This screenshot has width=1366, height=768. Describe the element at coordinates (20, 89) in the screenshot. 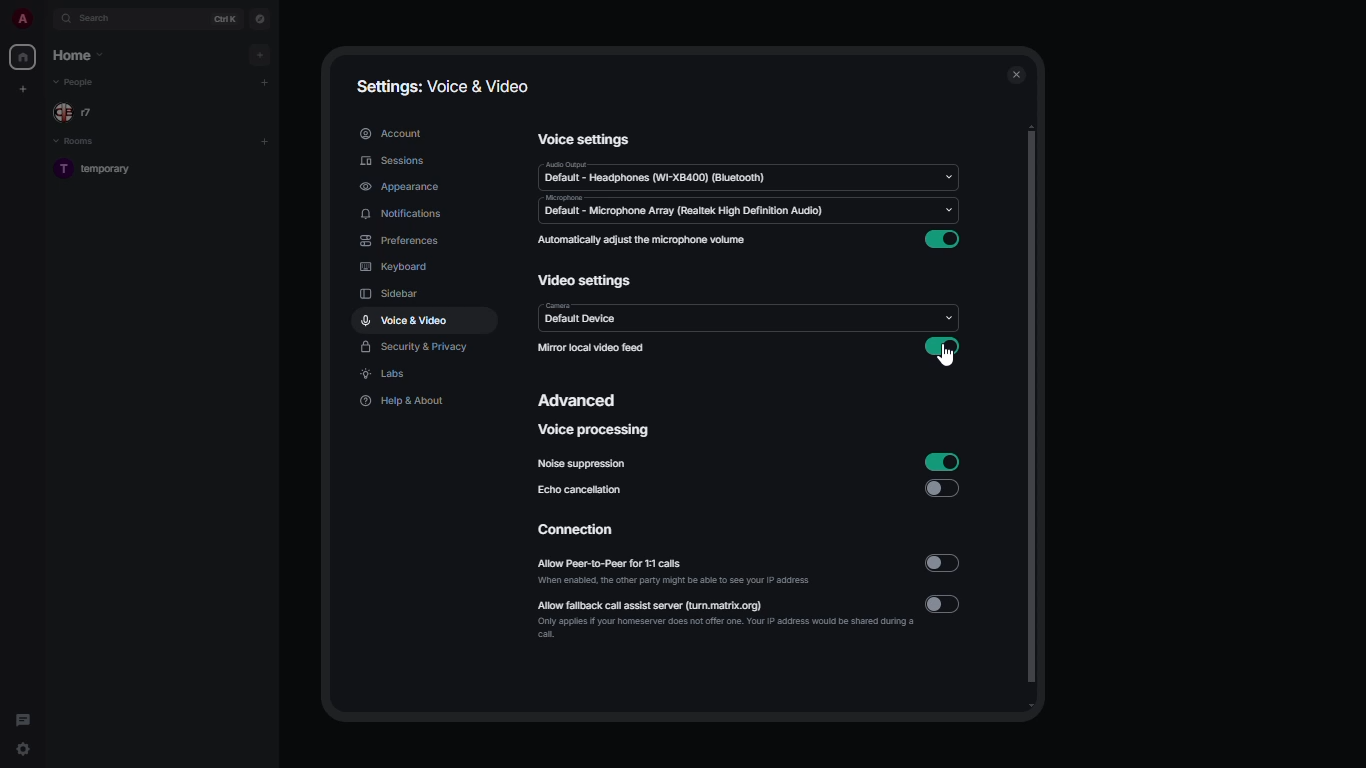

I see `create new space` at that location.